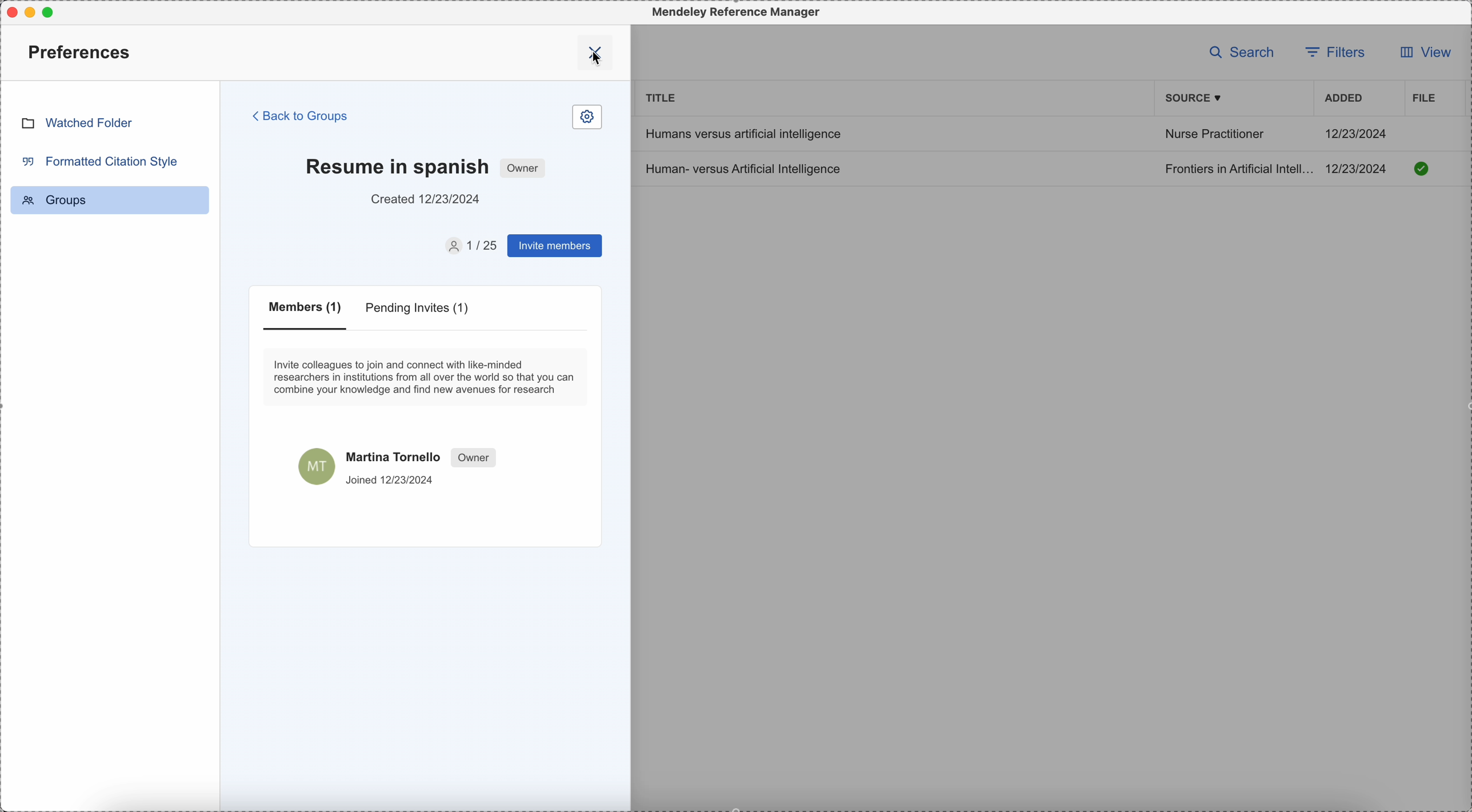  What do you see at coordinates (1422, 98) in the screenshot?
I see `file` at bounding box center [1422, 98].